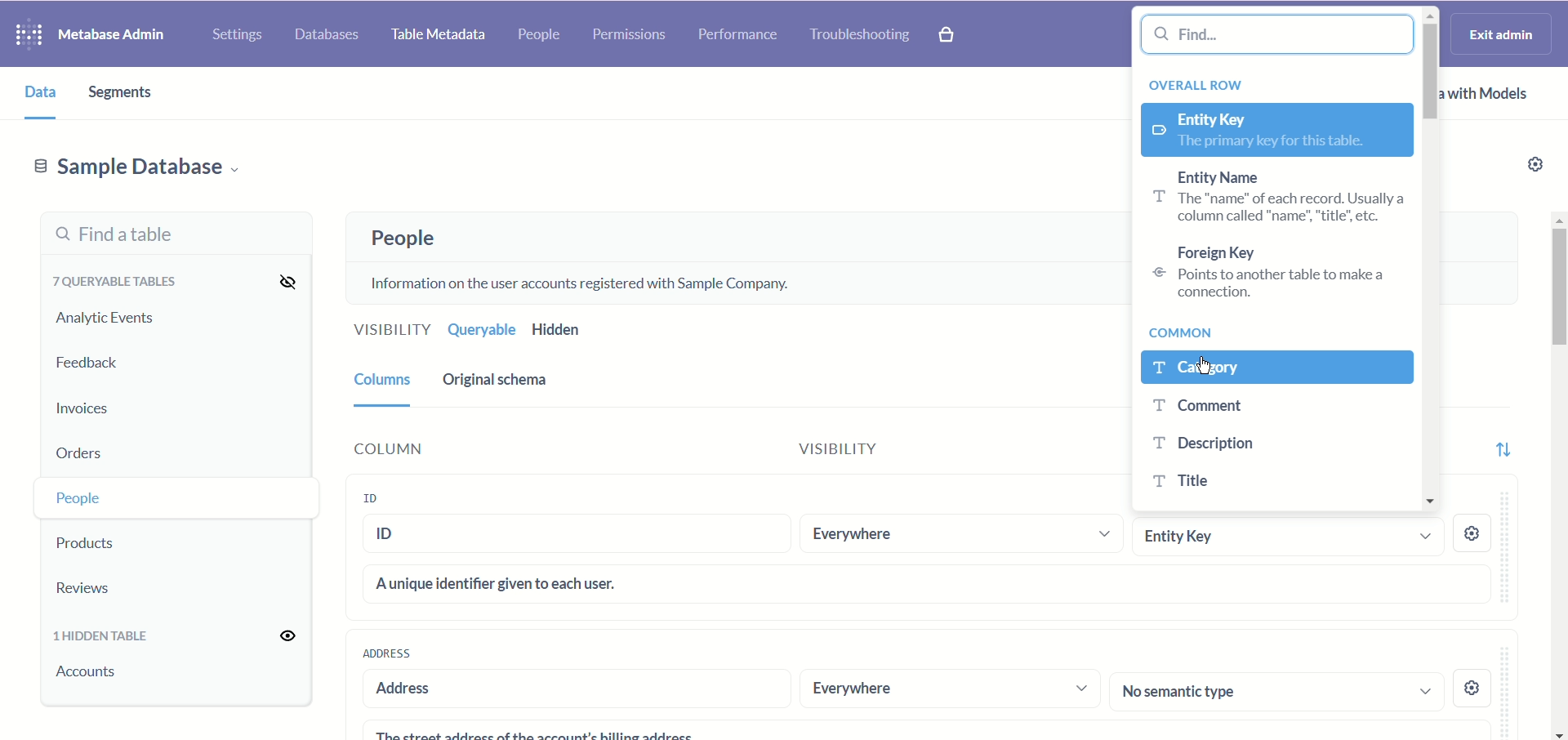 The height and width of the screenshot is (740, 1568). I want to click on Queryable, so click(479, 330).